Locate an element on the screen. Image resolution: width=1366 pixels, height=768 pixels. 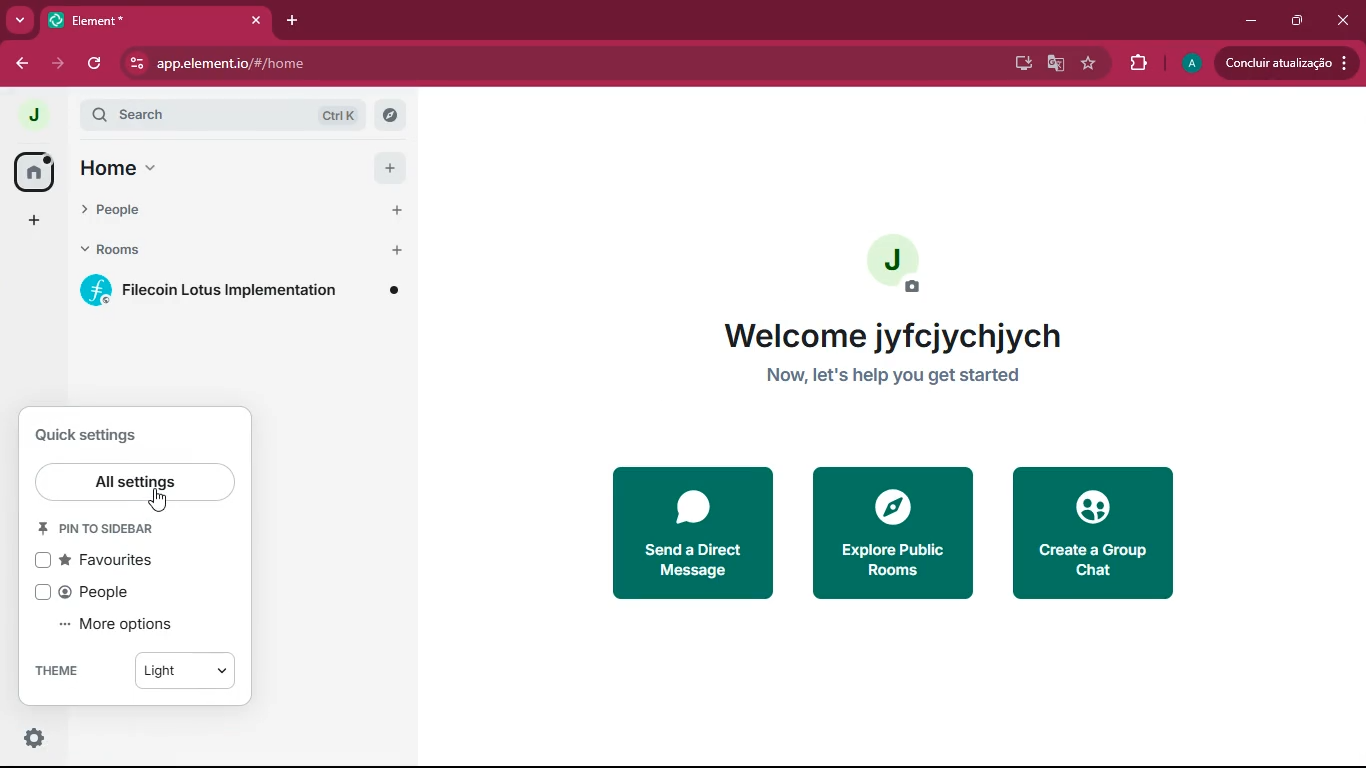
more options is located at coordinates (121, 626).